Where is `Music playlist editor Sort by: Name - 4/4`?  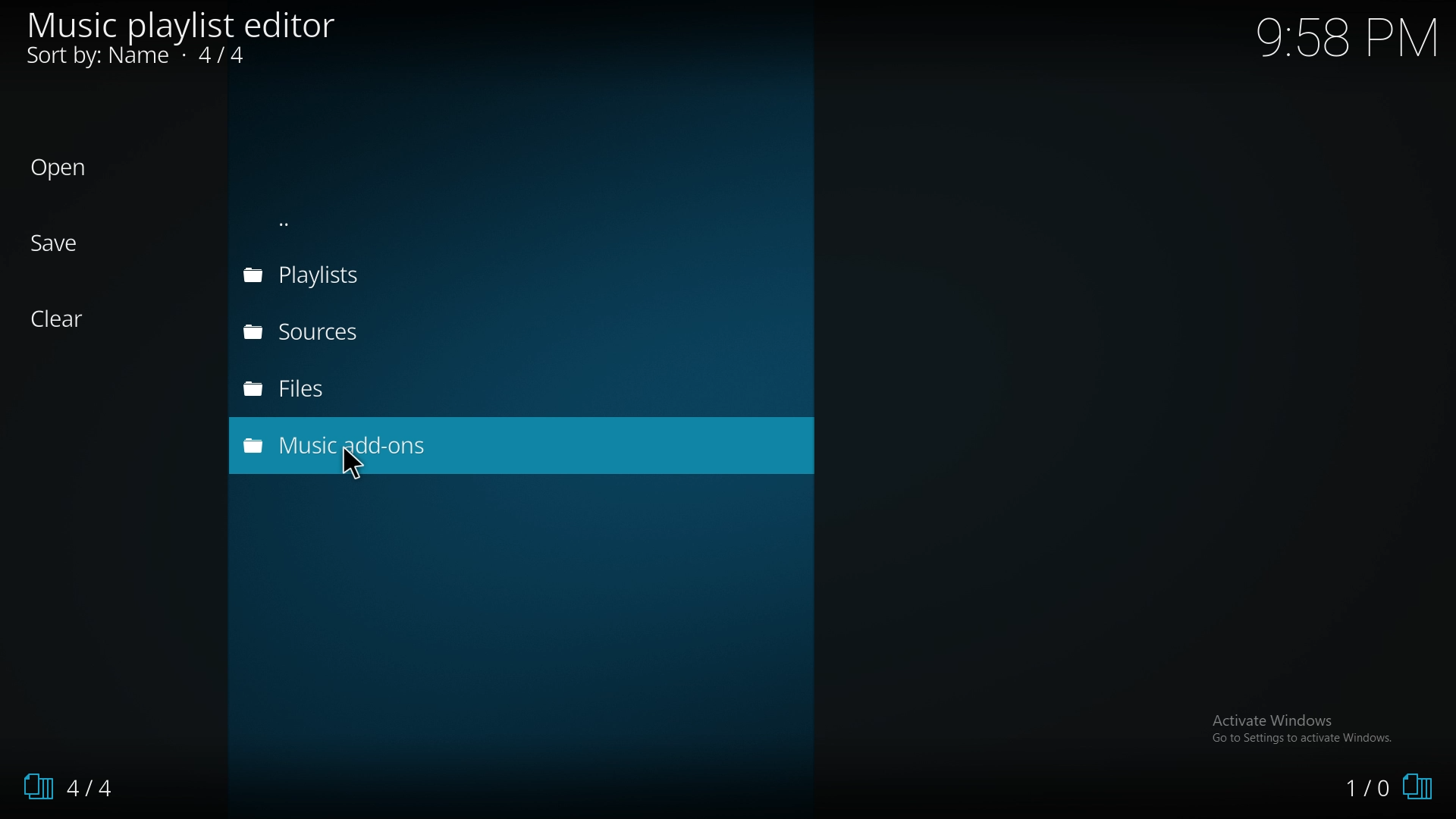 Music playlist editor Sort by: Name - 4/4 is located at coordinates (185, 39).